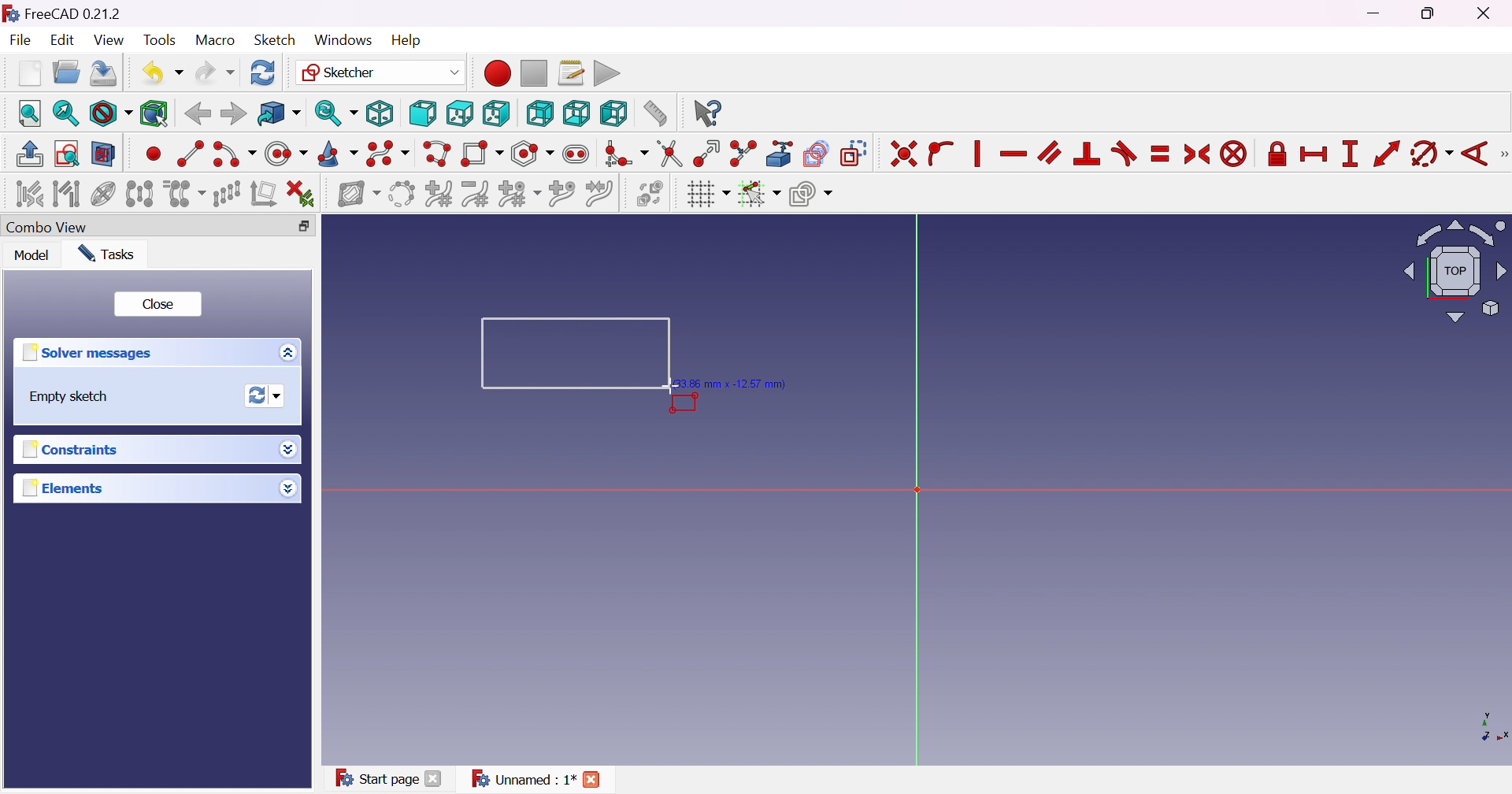 The image size is (1512, 794). Describe the element at coordinates (1431, 155) in the screenshot. I see `Constrain arc or circle` at that location.